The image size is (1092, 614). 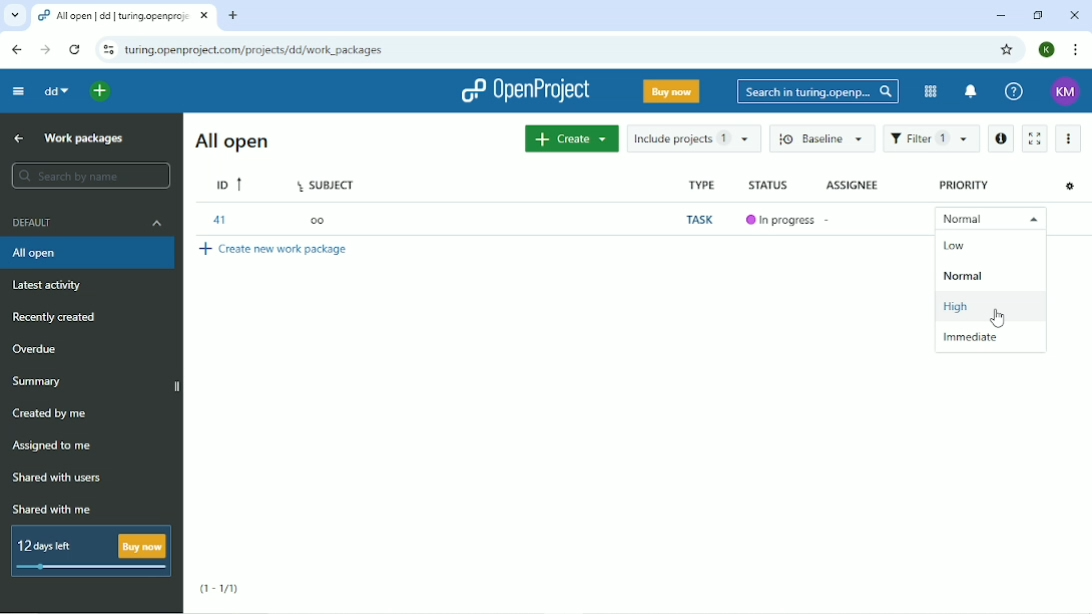 I want to click on More actions, so click(x=1072, y=140).